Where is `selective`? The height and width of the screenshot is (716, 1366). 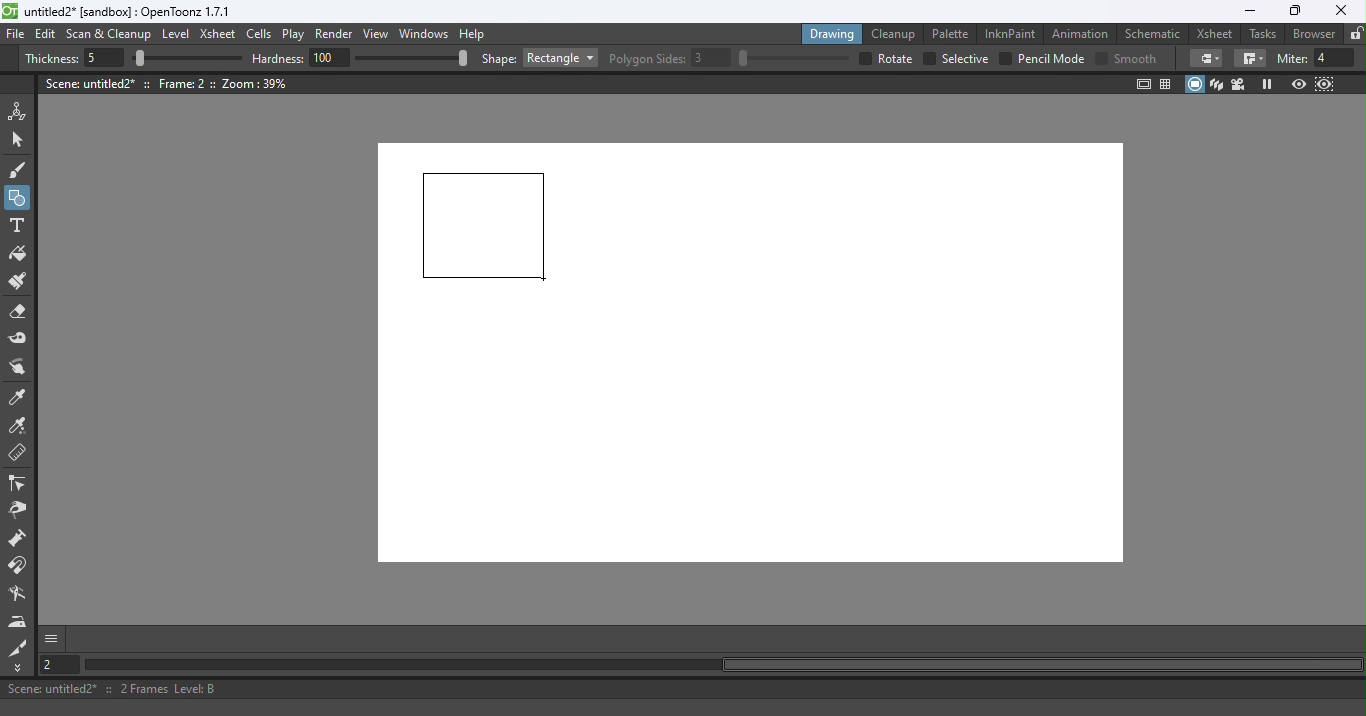 selective is located at coordinates (965, 59).